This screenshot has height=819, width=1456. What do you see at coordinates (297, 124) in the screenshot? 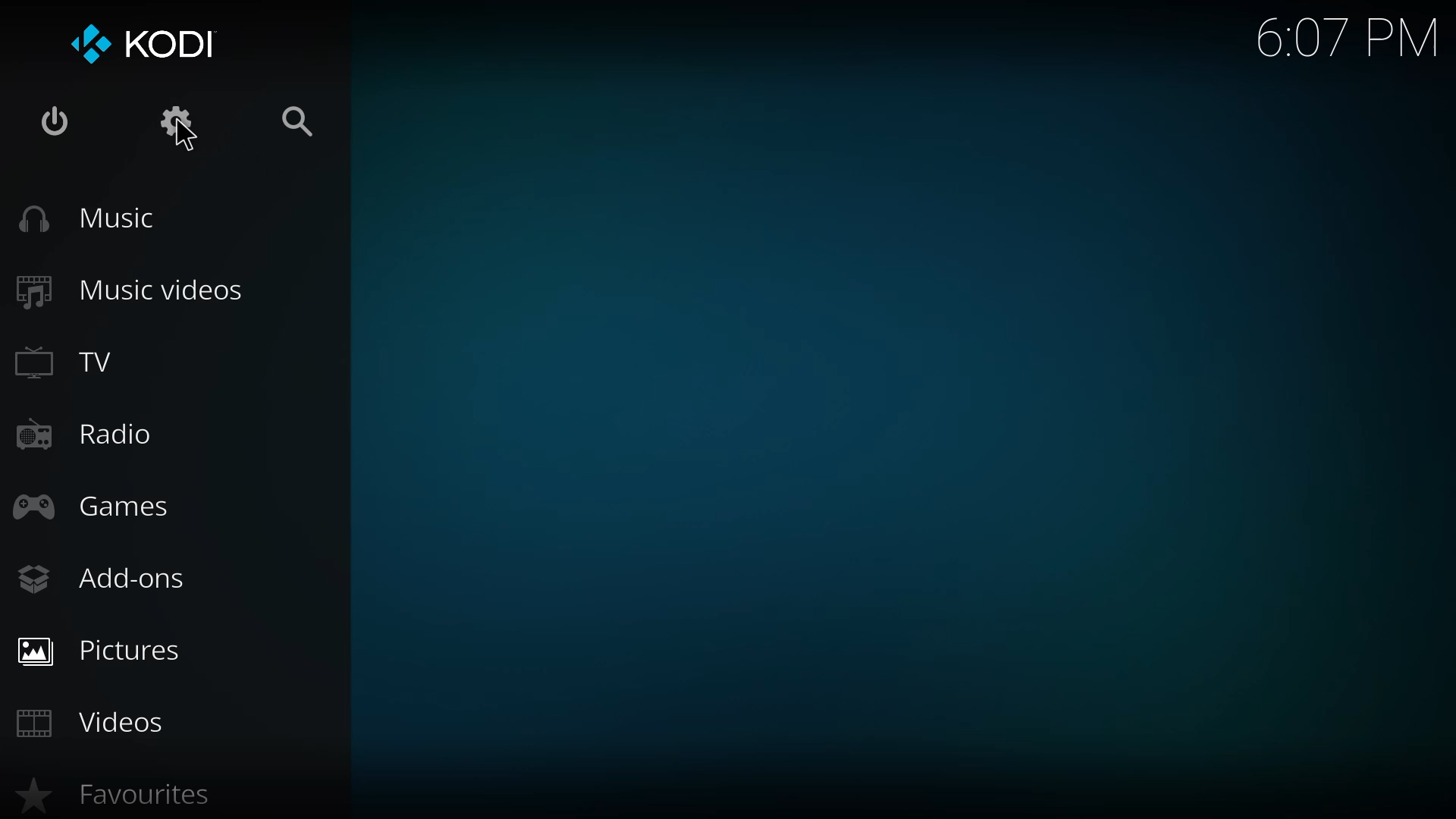
I see `search` at bounding box center [297, 124].